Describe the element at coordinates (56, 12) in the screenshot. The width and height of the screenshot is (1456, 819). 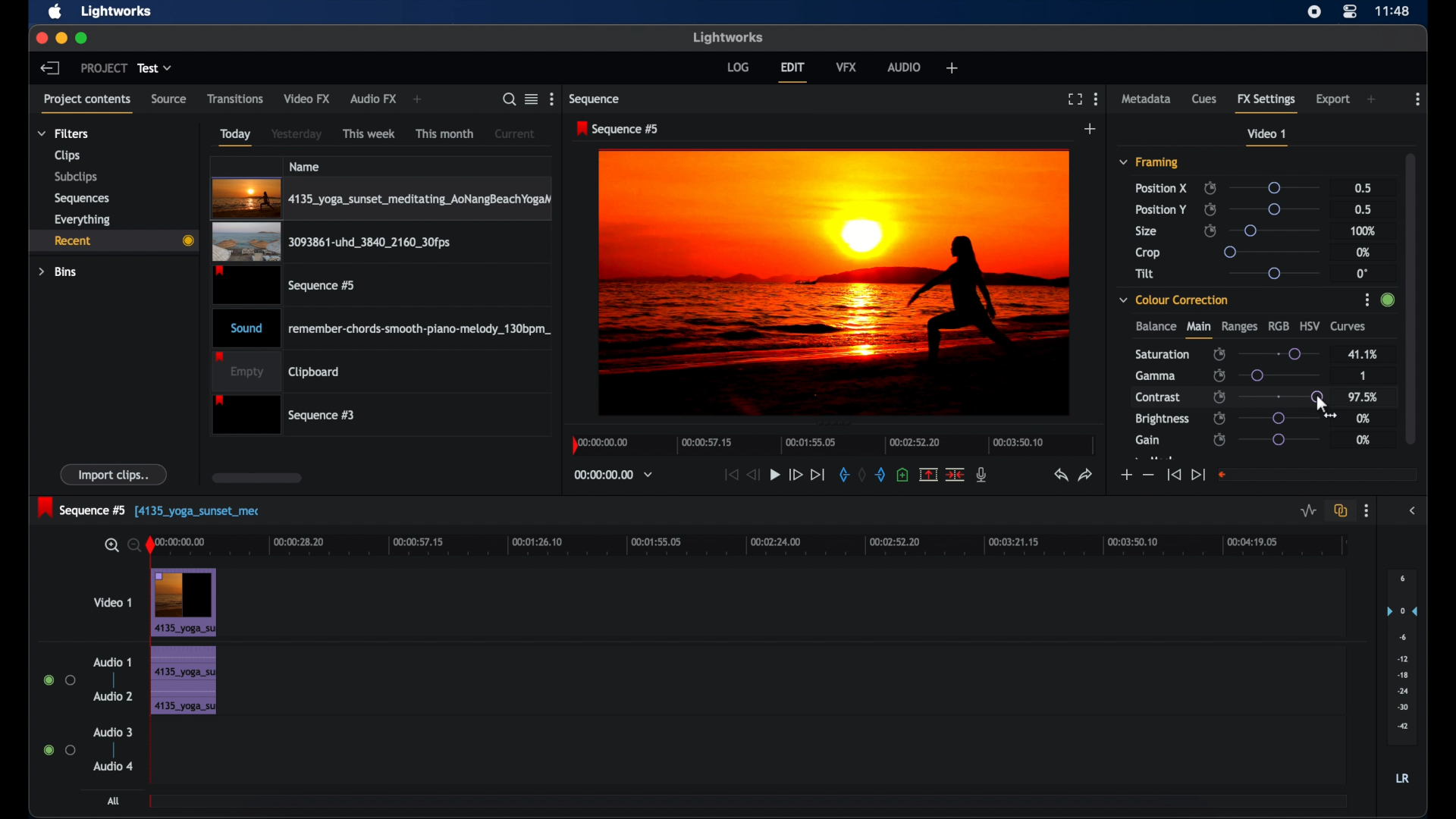
I see `apple icon` at that location.